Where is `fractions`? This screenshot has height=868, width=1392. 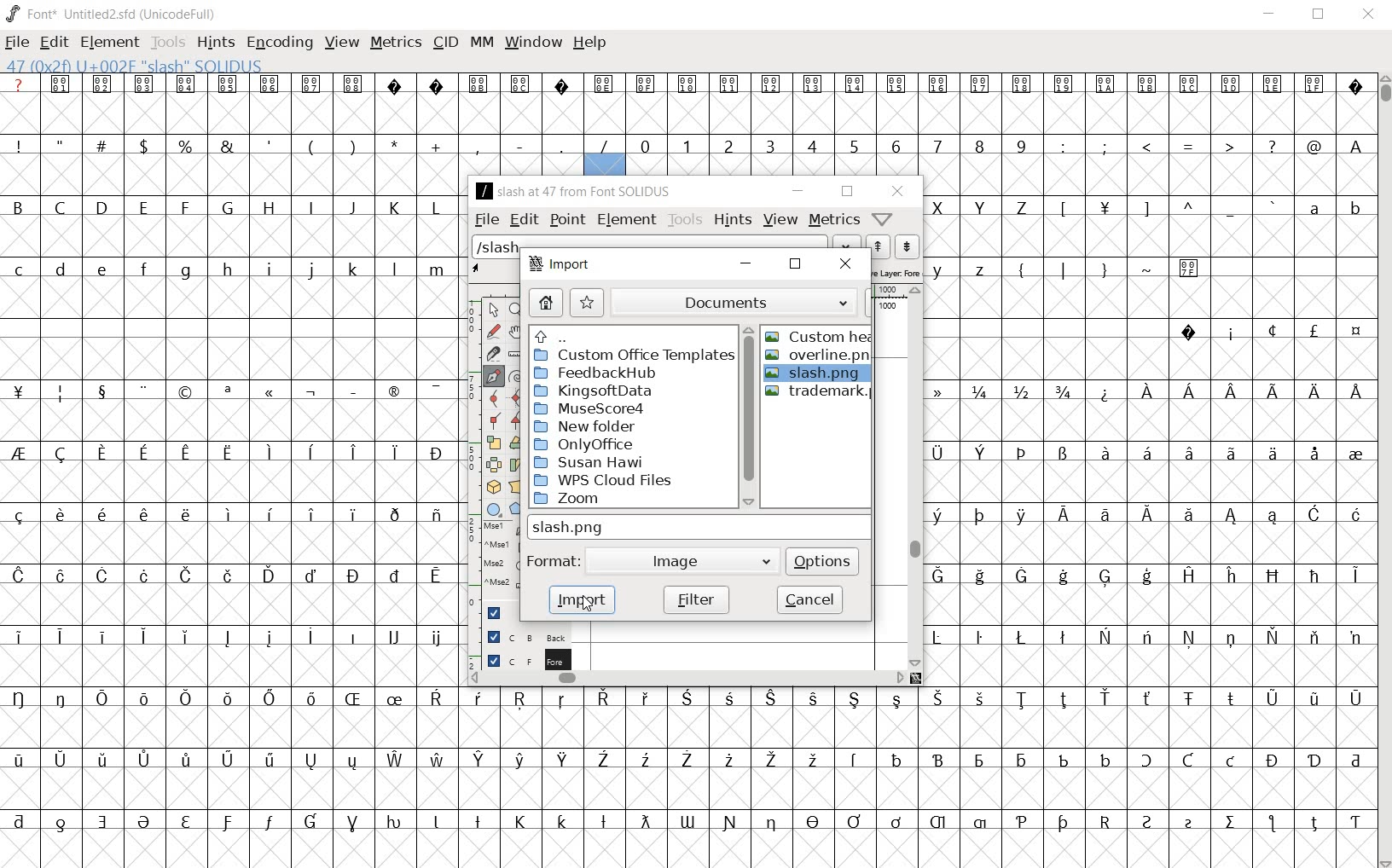 fractions is located at coordinates (1030, 391).